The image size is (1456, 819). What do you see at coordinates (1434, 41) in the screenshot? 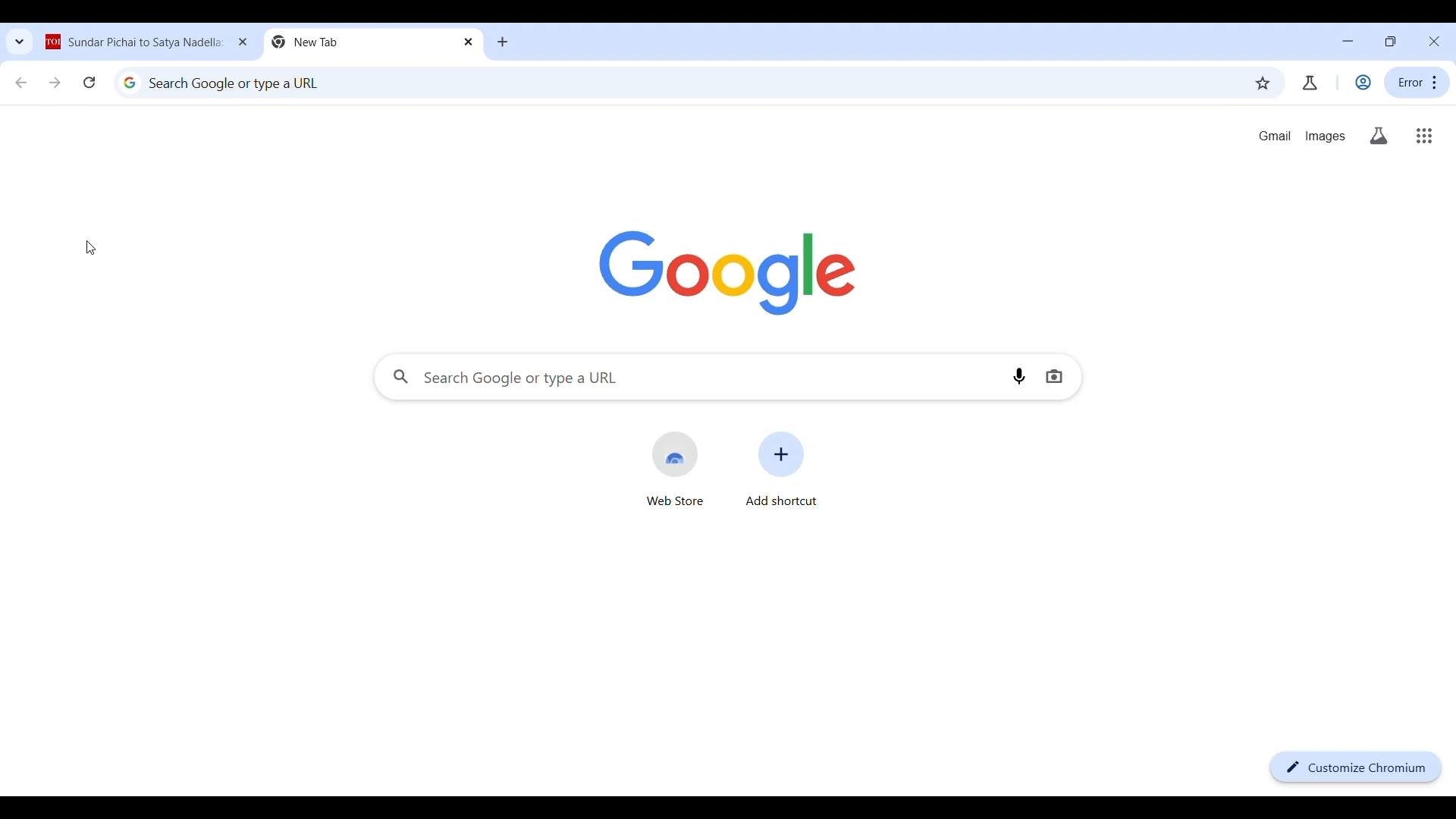
I see `Close interface` at bounding box center [1434, 41].